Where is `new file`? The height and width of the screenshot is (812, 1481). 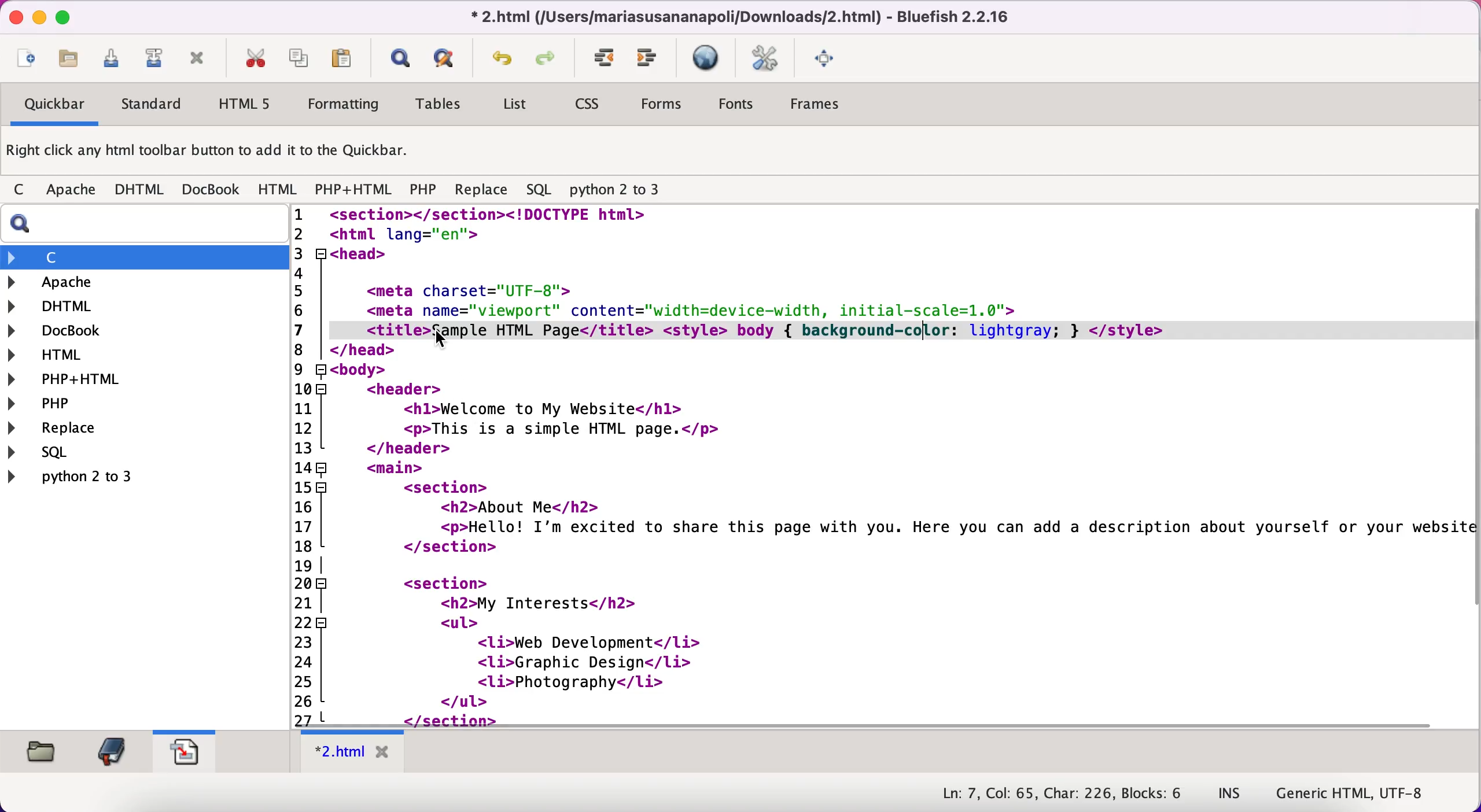 new file is located at coordinates (26, 61).